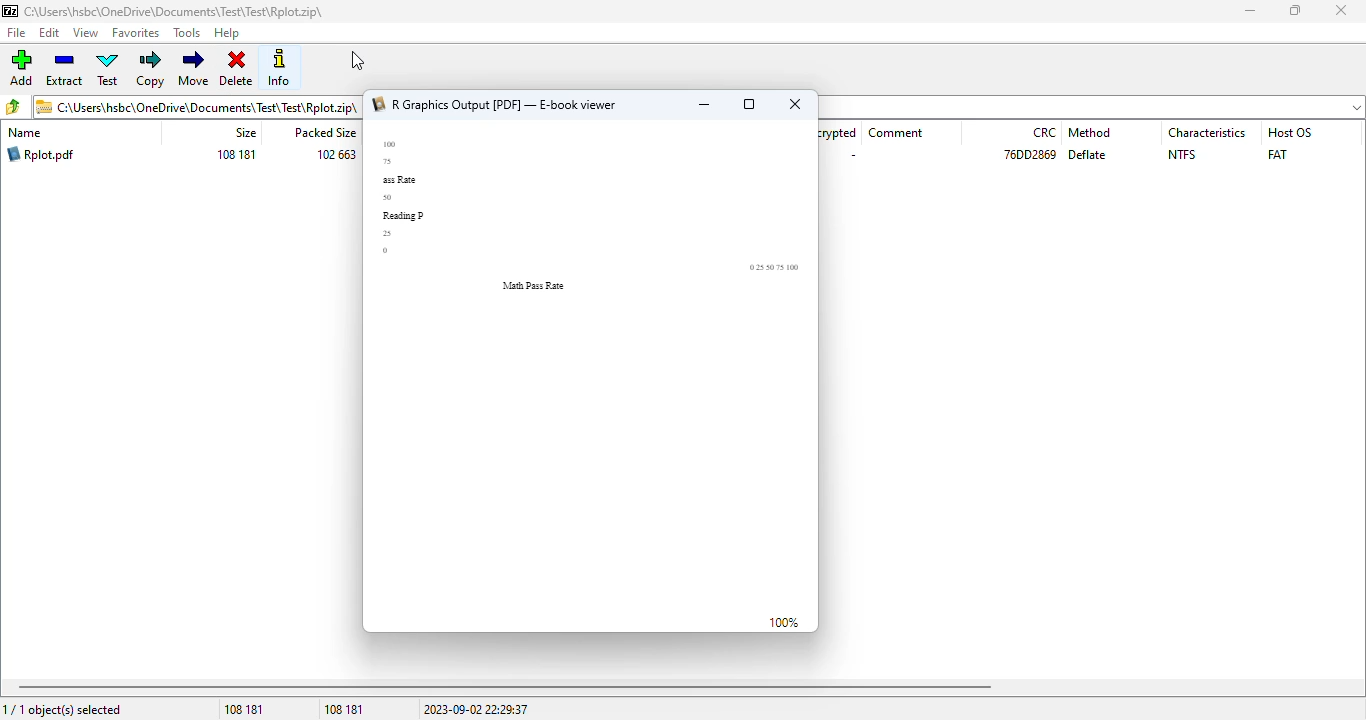 Image resolution: width=1366 pixels, height=720 pixels. Describe the element at coordinates (1091, 133) in the screenshot. I see `method` at that location.